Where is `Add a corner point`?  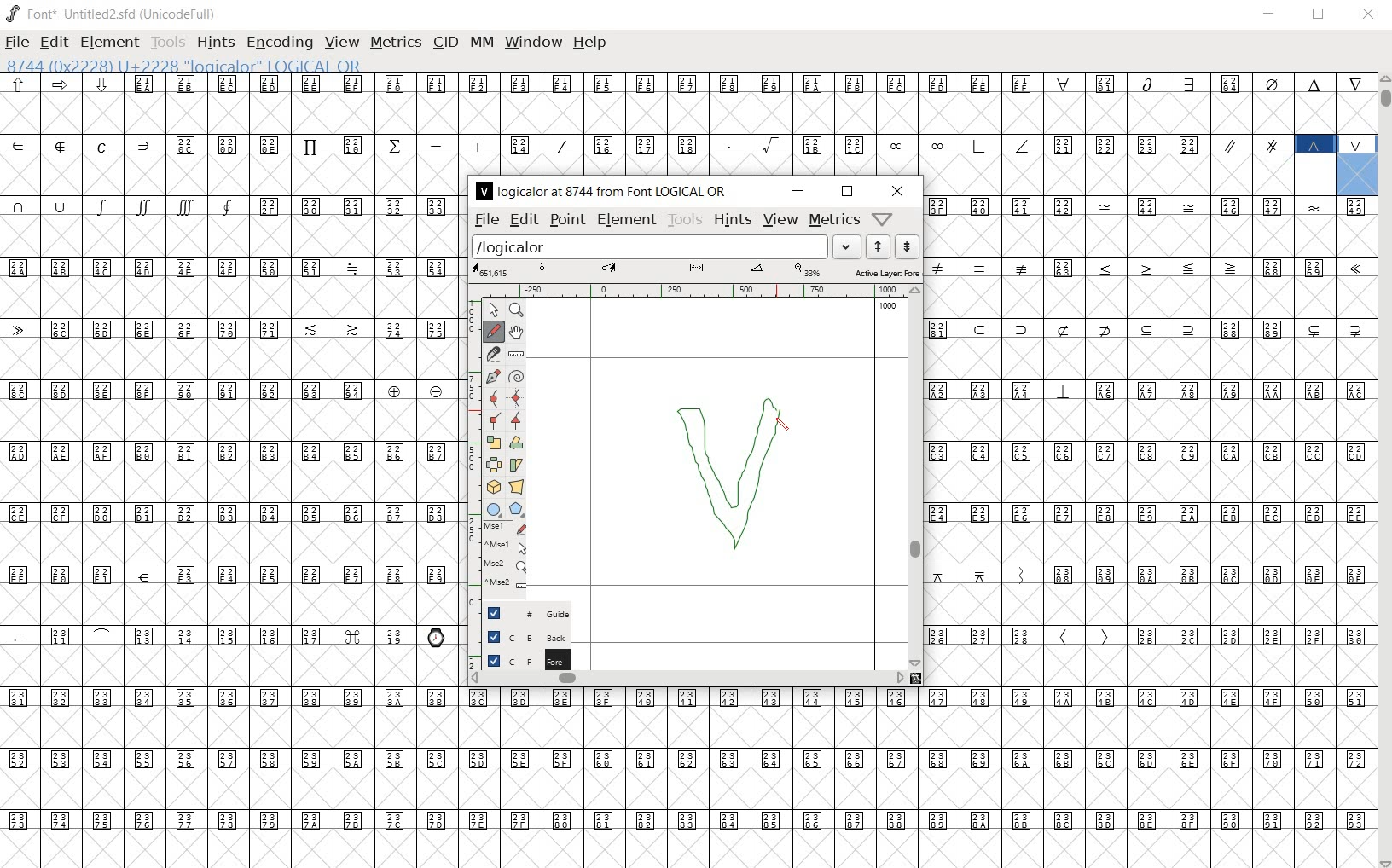 Add a corner point is located at coordinates (495, 422).